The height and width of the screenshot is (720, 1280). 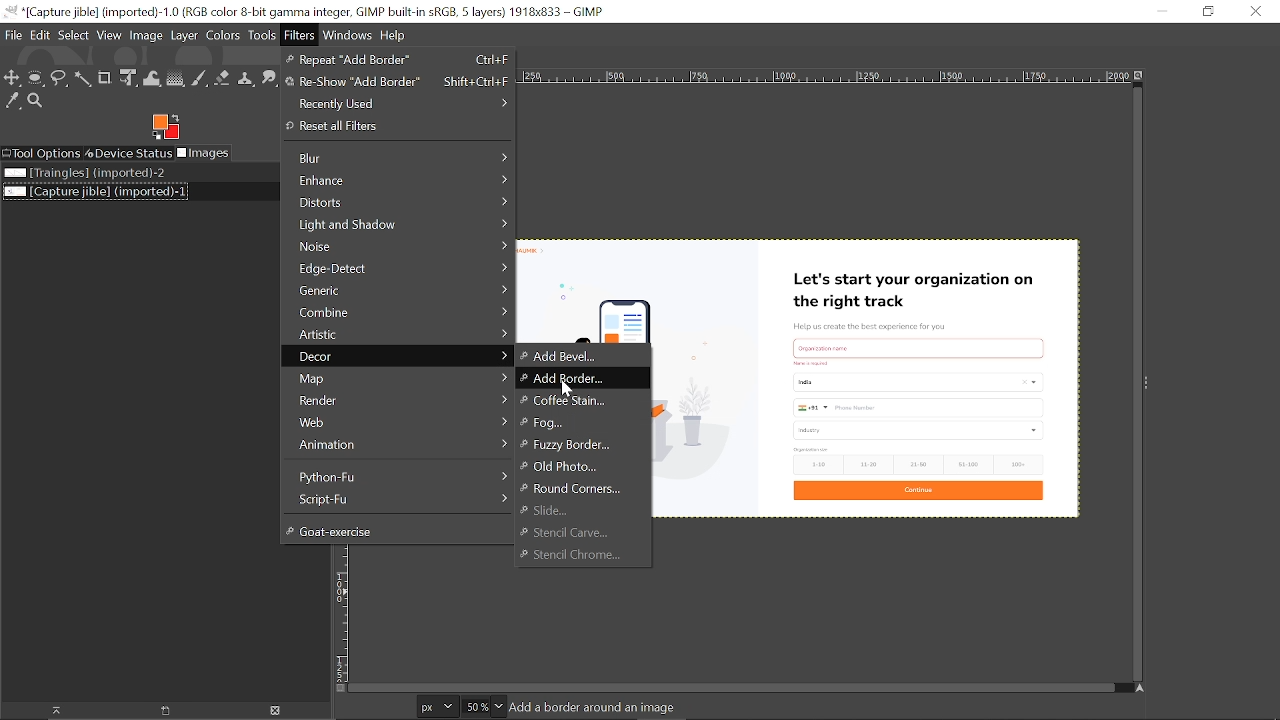 I want to click on Distorts, so click(x=401, y=202).